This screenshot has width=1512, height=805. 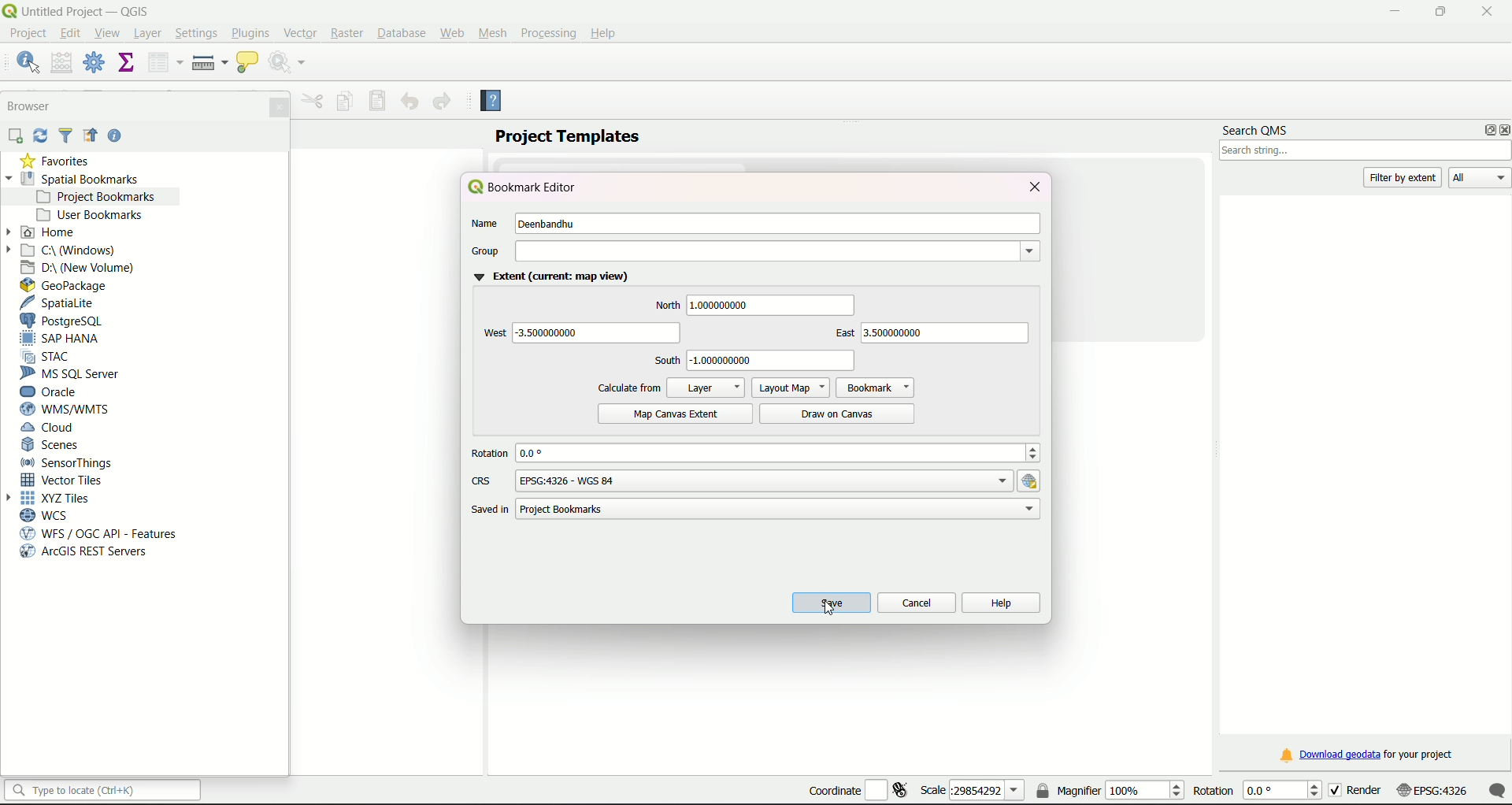 I want to click on Raster, so click(x=348, y=34).